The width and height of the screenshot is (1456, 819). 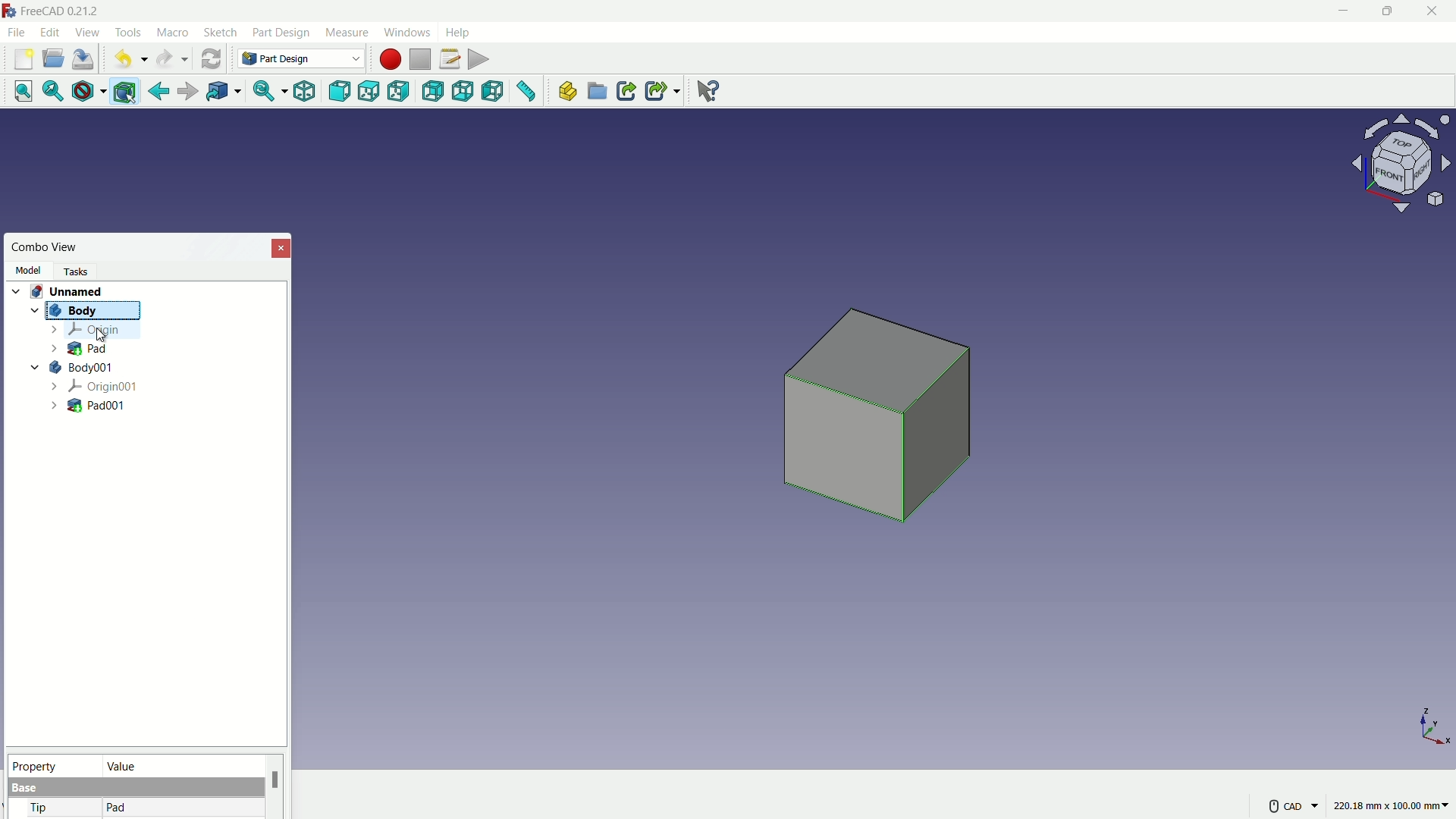 What do you see at coordinates (1406, 171) in the screenshot?
I see `preset viewpoint` at bounding box center [1406, 171].